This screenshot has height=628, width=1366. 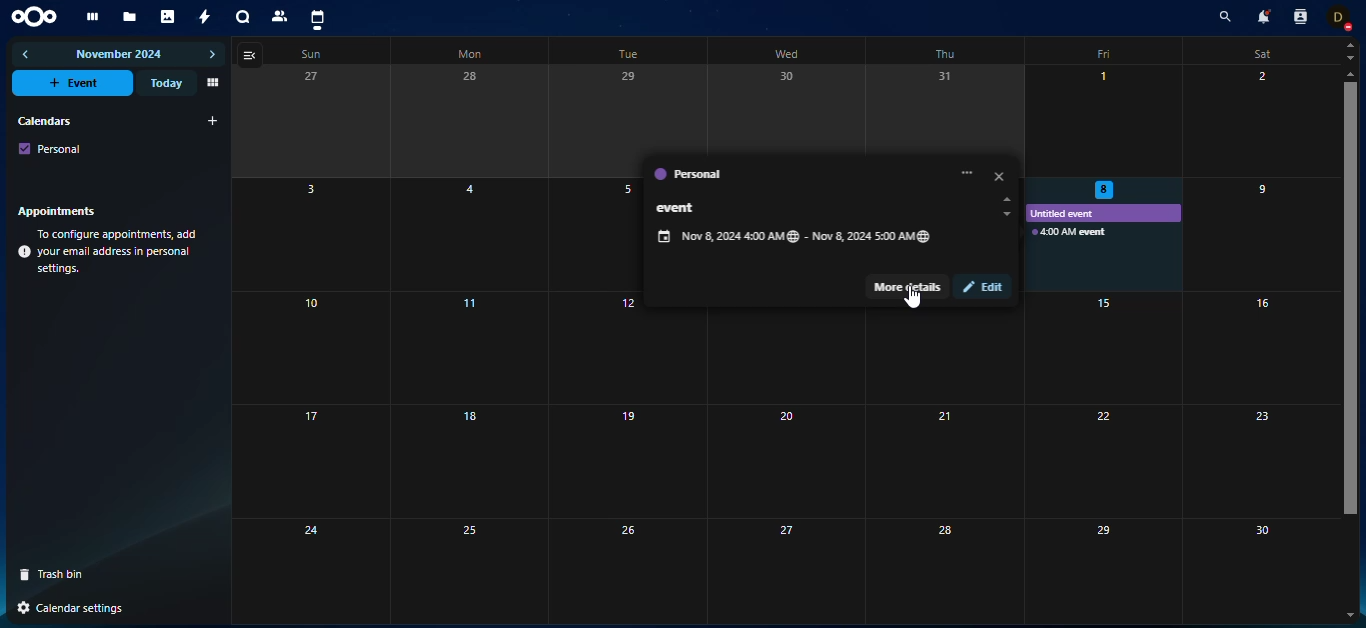 I want to click on more, so click(x=968, y=173).